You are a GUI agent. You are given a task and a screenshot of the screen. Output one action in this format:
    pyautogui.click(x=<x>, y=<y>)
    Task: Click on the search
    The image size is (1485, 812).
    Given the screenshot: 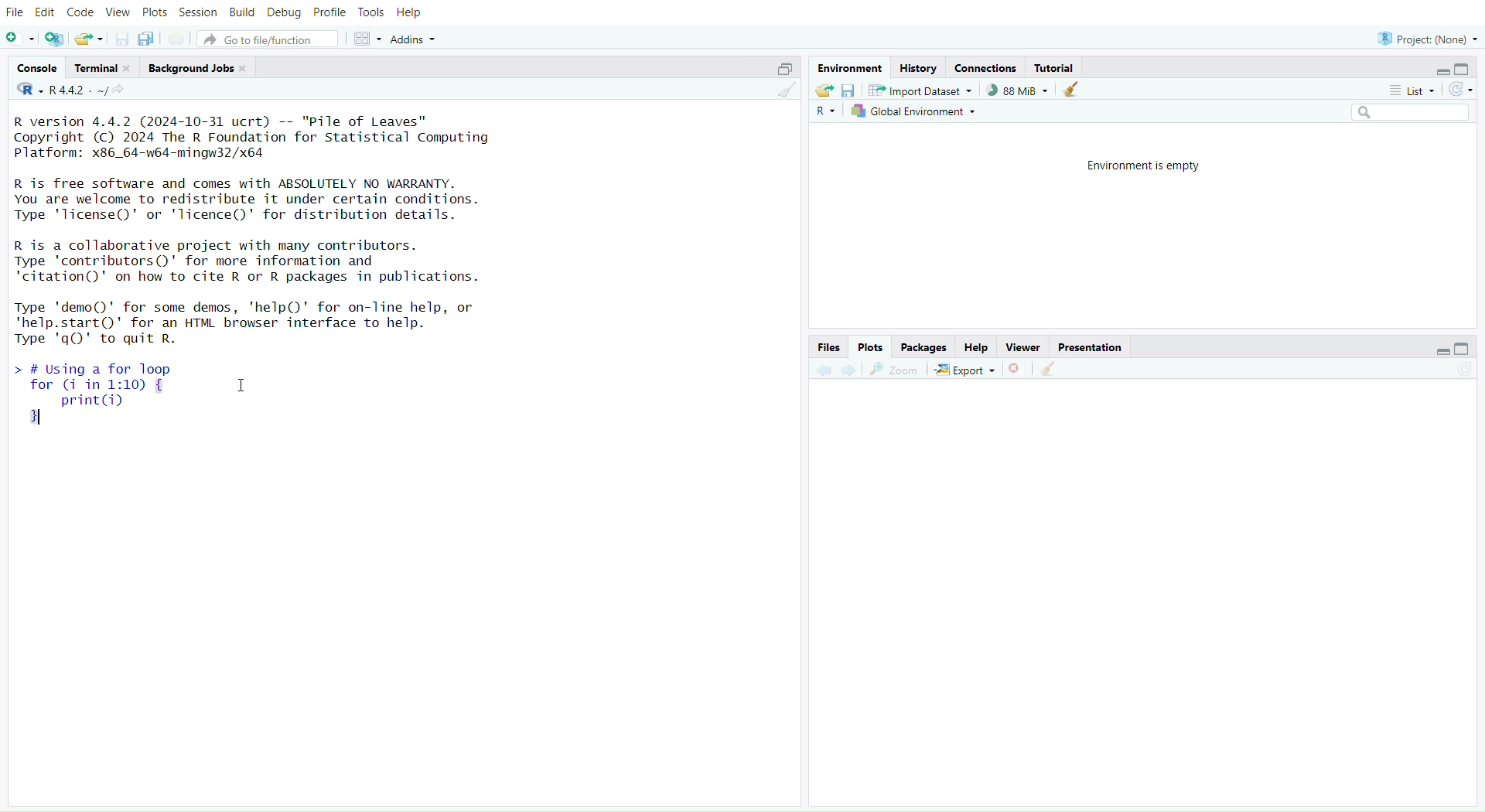 What is the action you would take?
    pyautogui.click(x=1402, y=113)
    